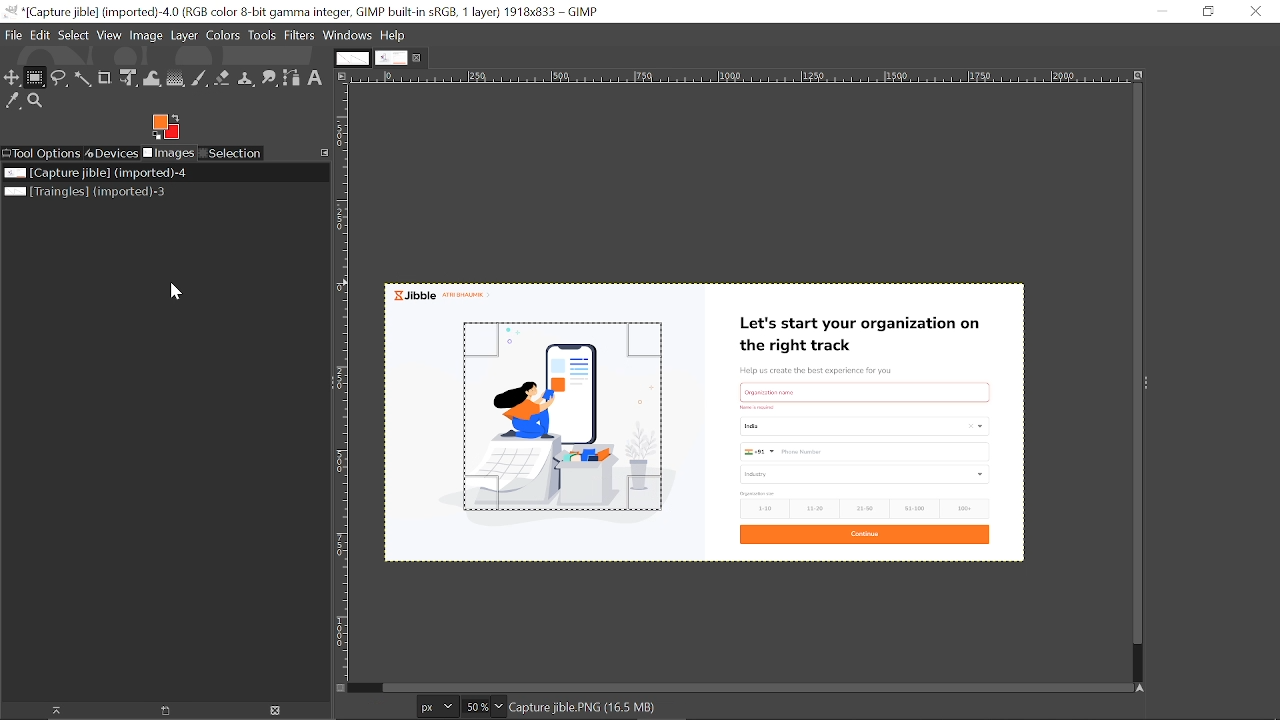 This screenshot has height=720, width=1280. I want to click on Tool options, so click(43, 153).